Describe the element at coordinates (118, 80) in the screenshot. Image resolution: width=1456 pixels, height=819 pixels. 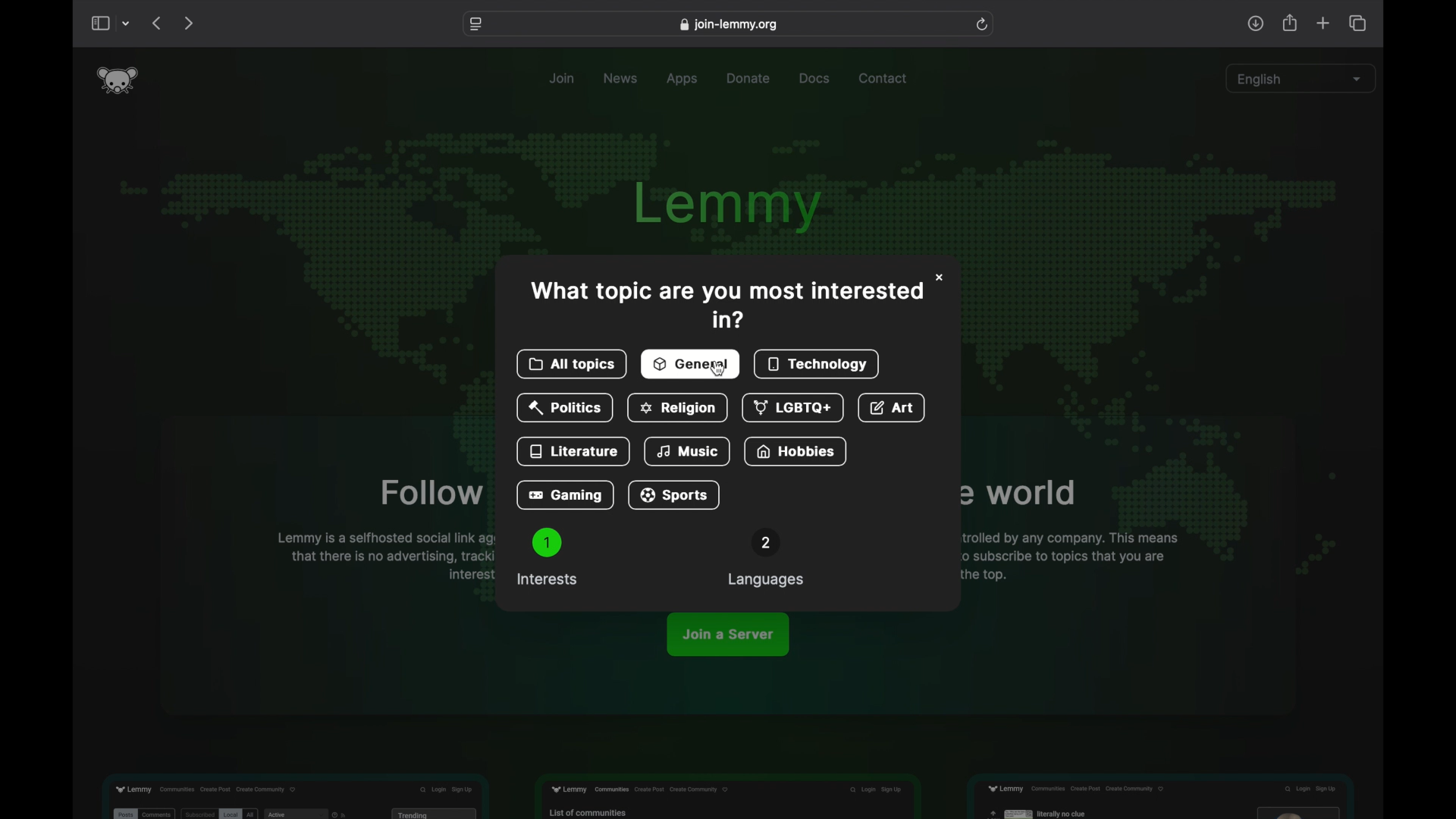
I see `lemmy` at that location.